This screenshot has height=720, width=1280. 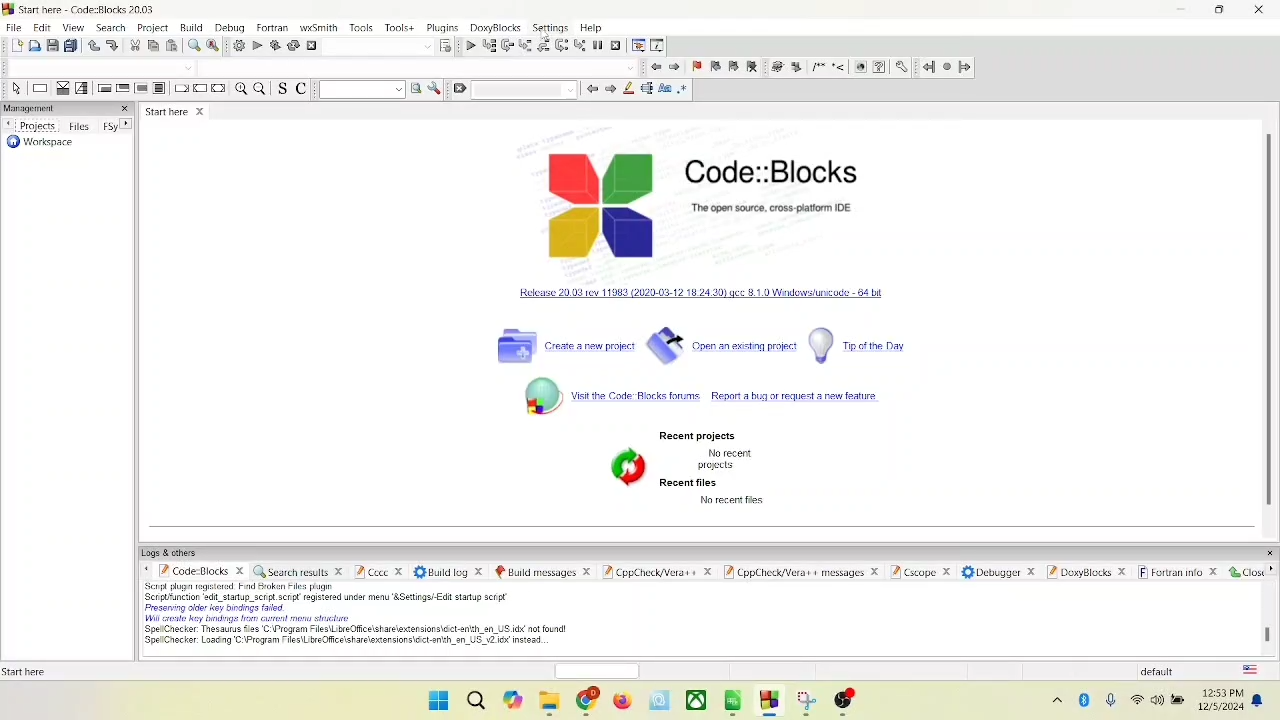 What do you see at coordinates (736, 704) in the screenshot?
I see `apps` at bounding box center [736, 704].